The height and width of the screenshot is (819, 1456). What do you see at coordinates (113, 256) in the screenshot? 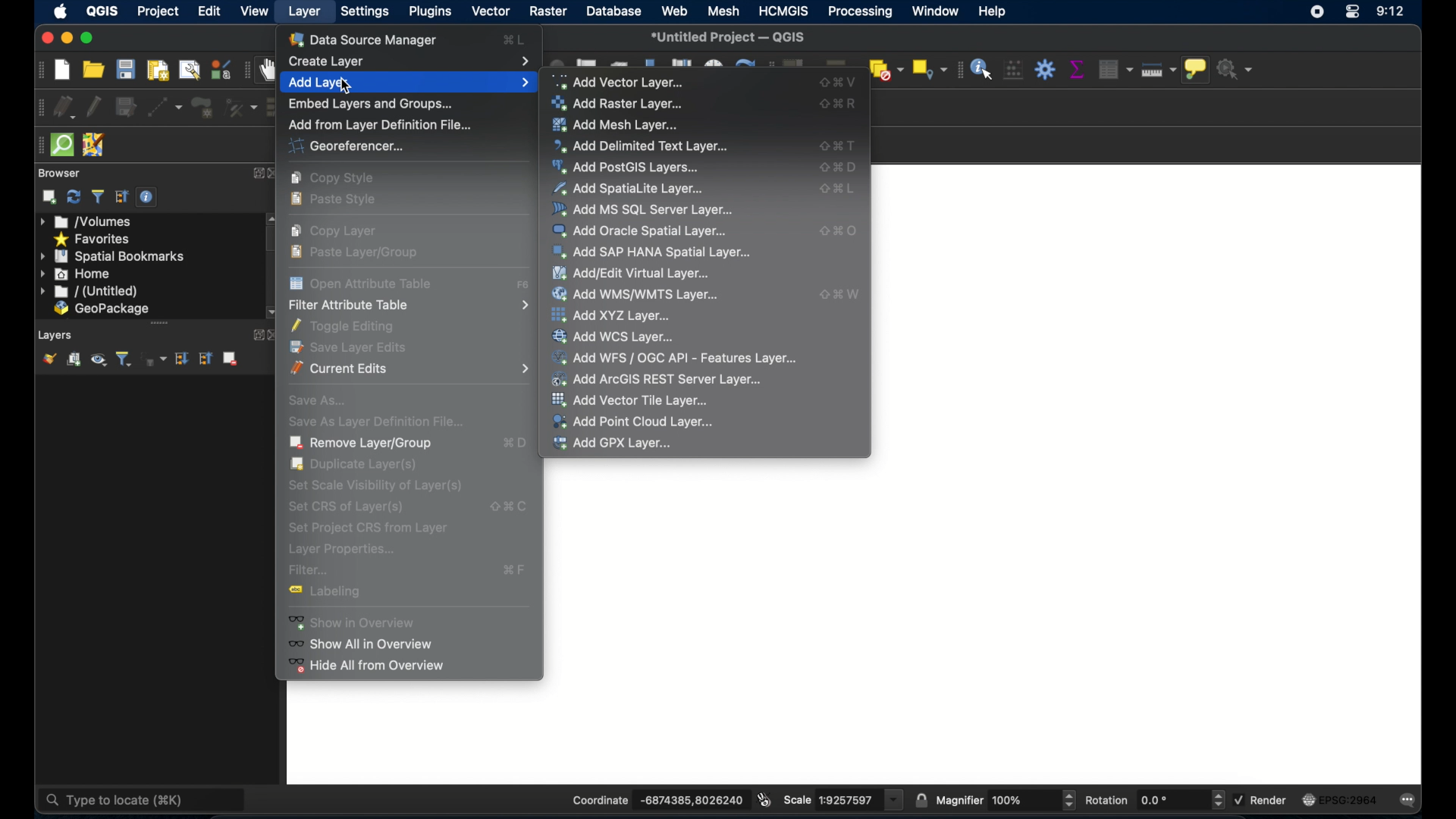
I see `spatial bookmarks` at bounding box center [113, 256].